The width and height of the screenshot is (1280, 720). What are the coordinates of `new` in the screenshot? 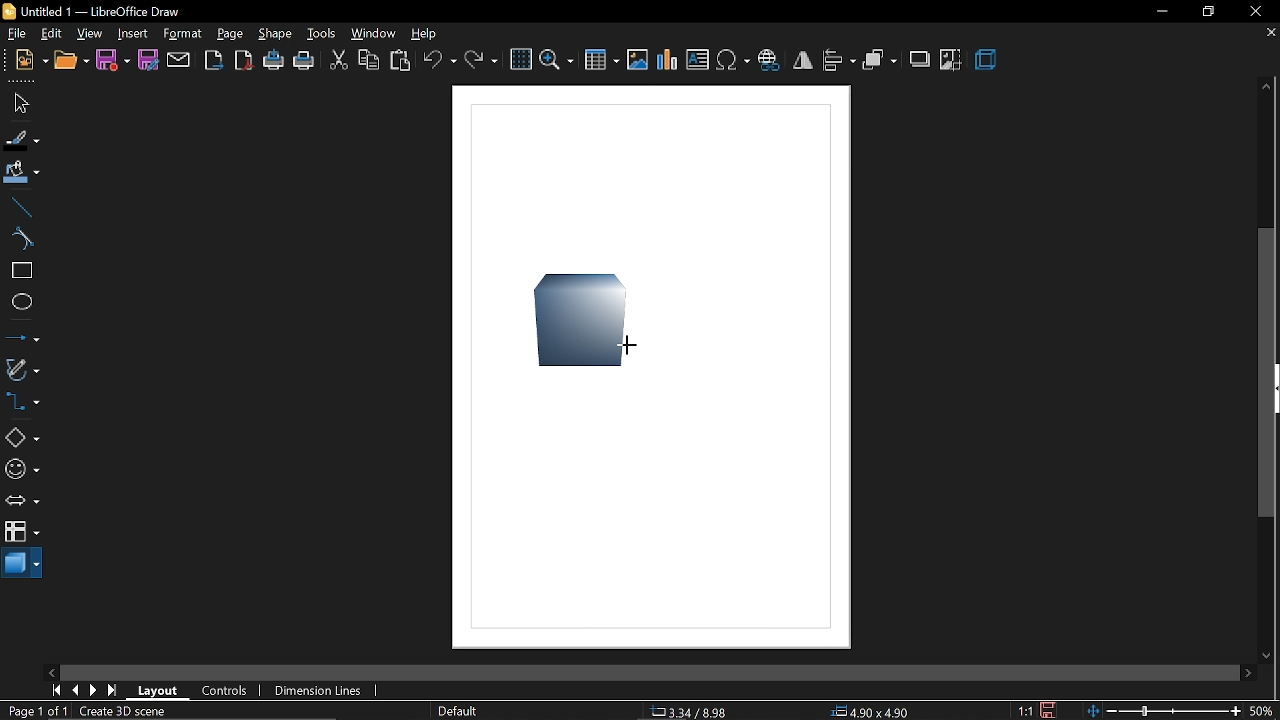 It's located at (30, 61).